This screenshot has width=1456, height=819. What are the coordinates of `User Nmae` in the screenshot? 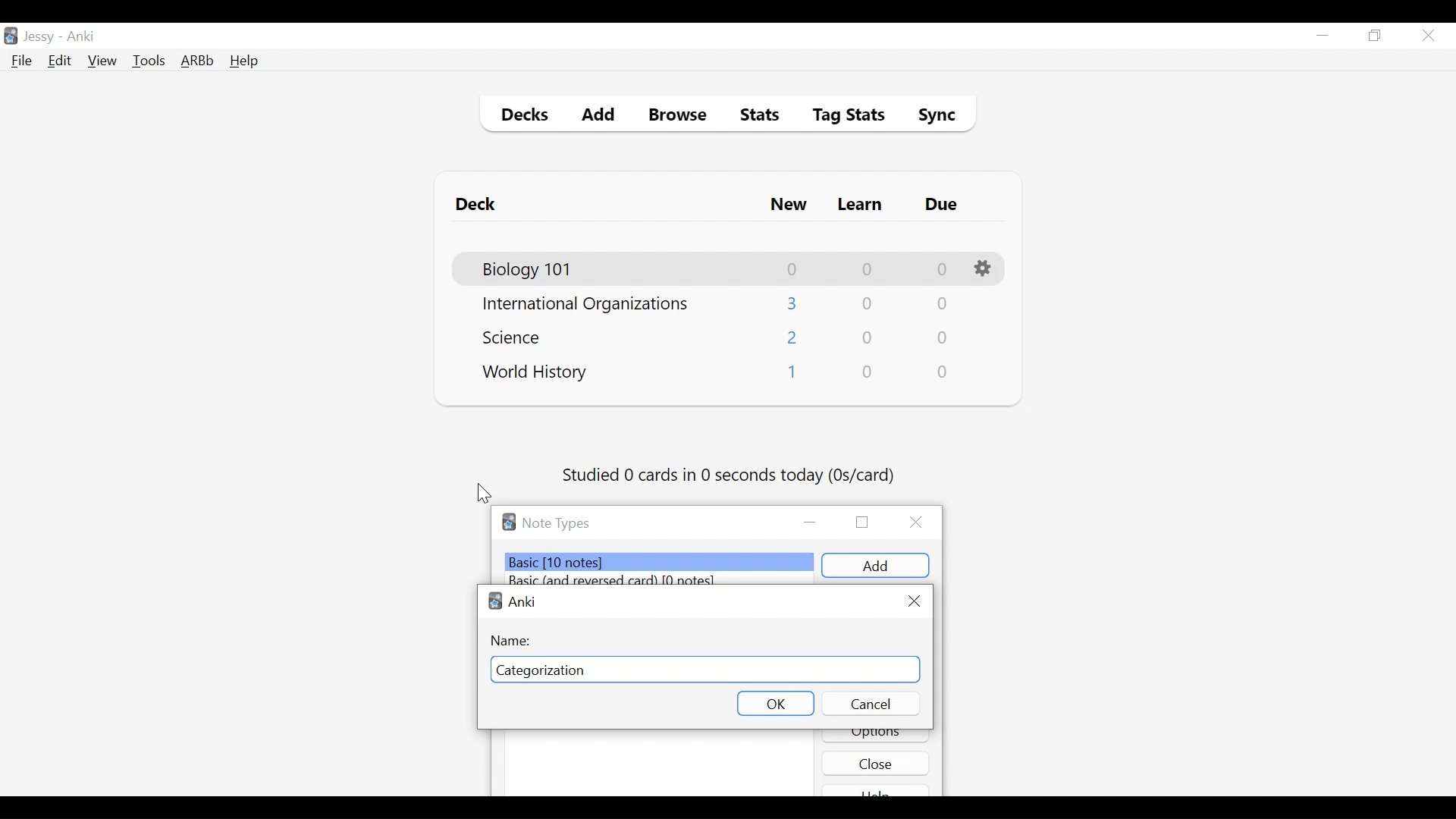 It's located at (42, 37).